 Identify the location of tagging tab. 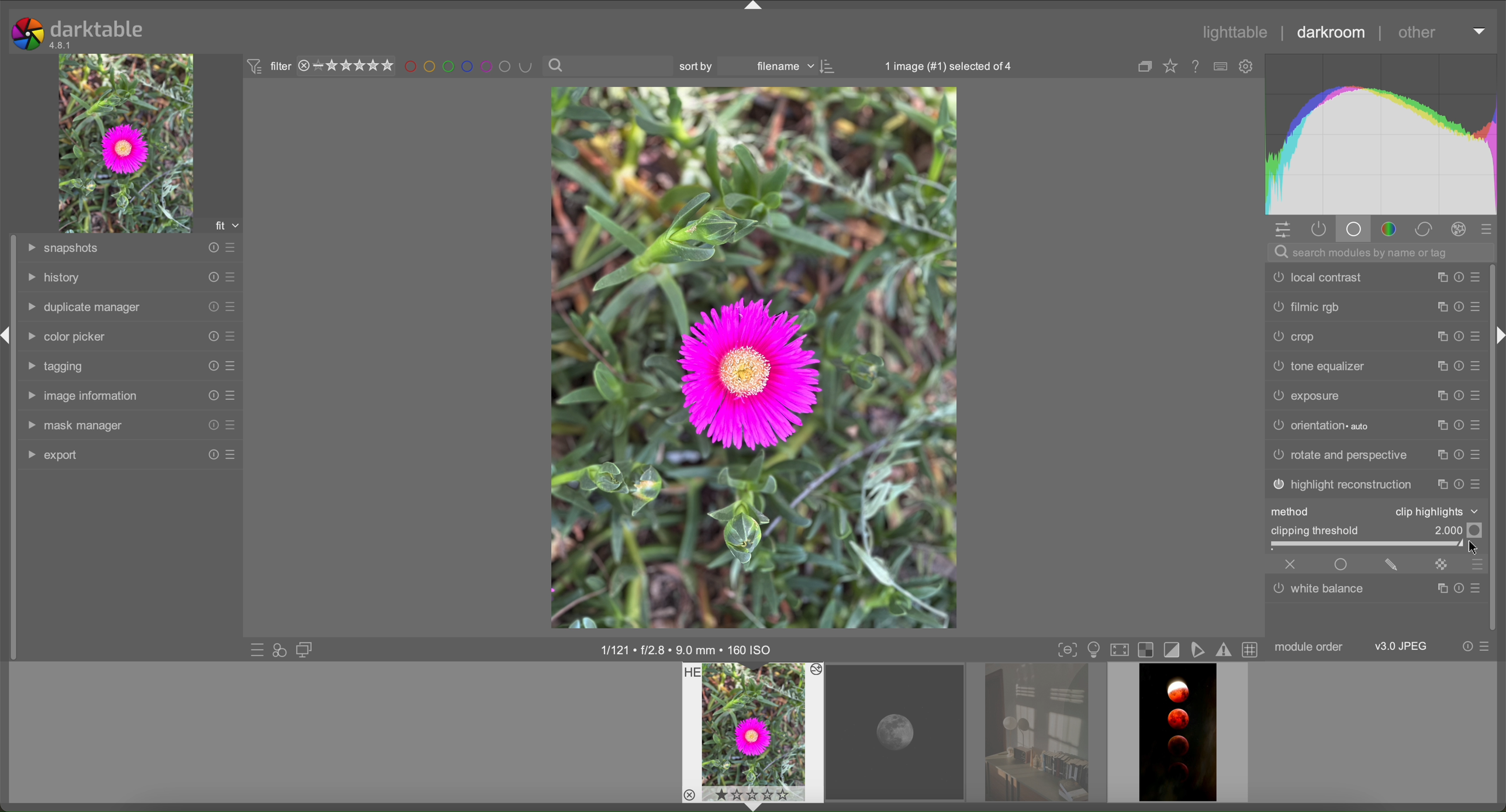
(58, 367).